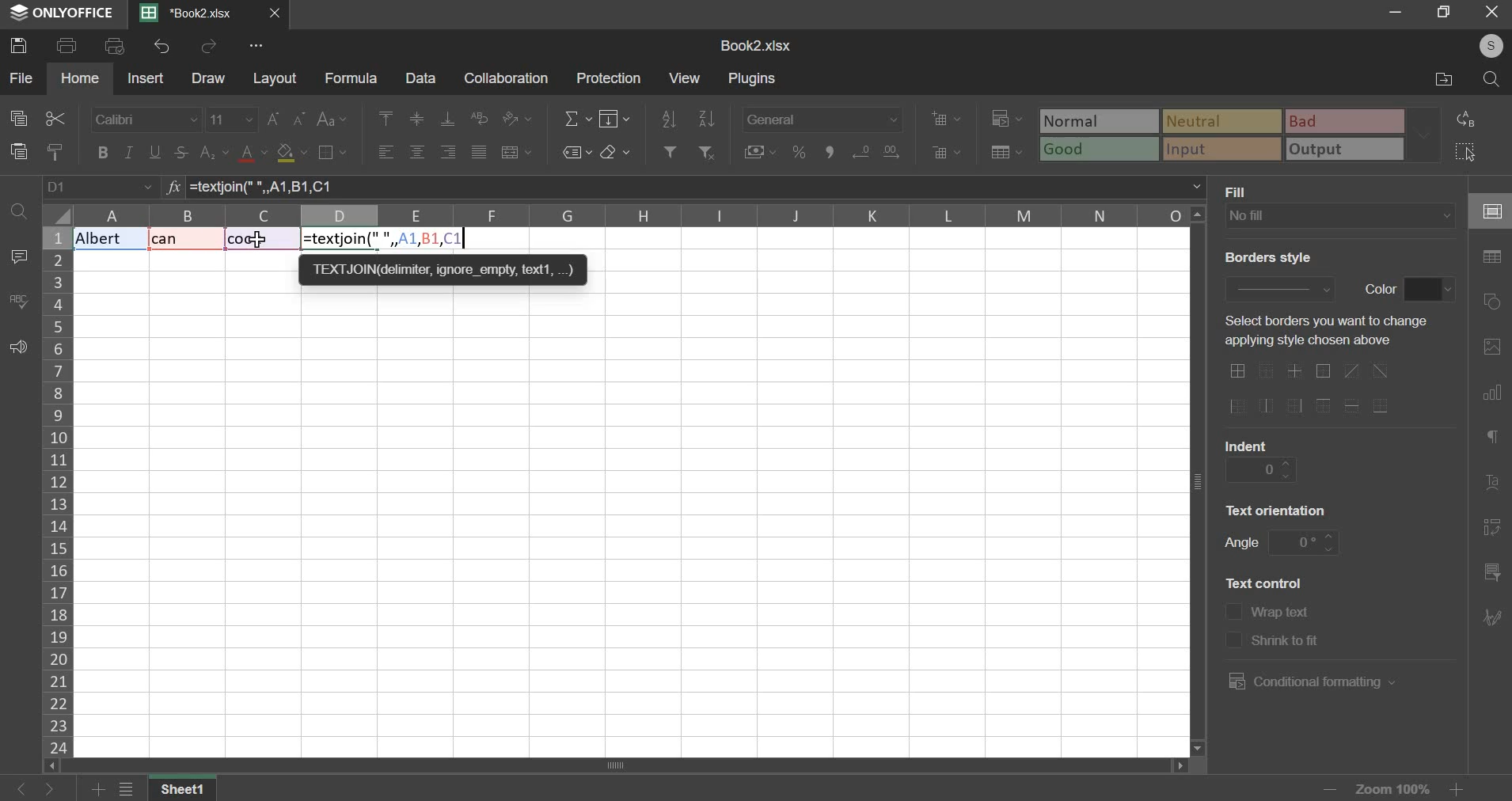 This screenshot has height=801, width=1512. What do you see at coordinates (61, 789) in the screenshot?
I see `go forward` at bounding box center [61, 789].